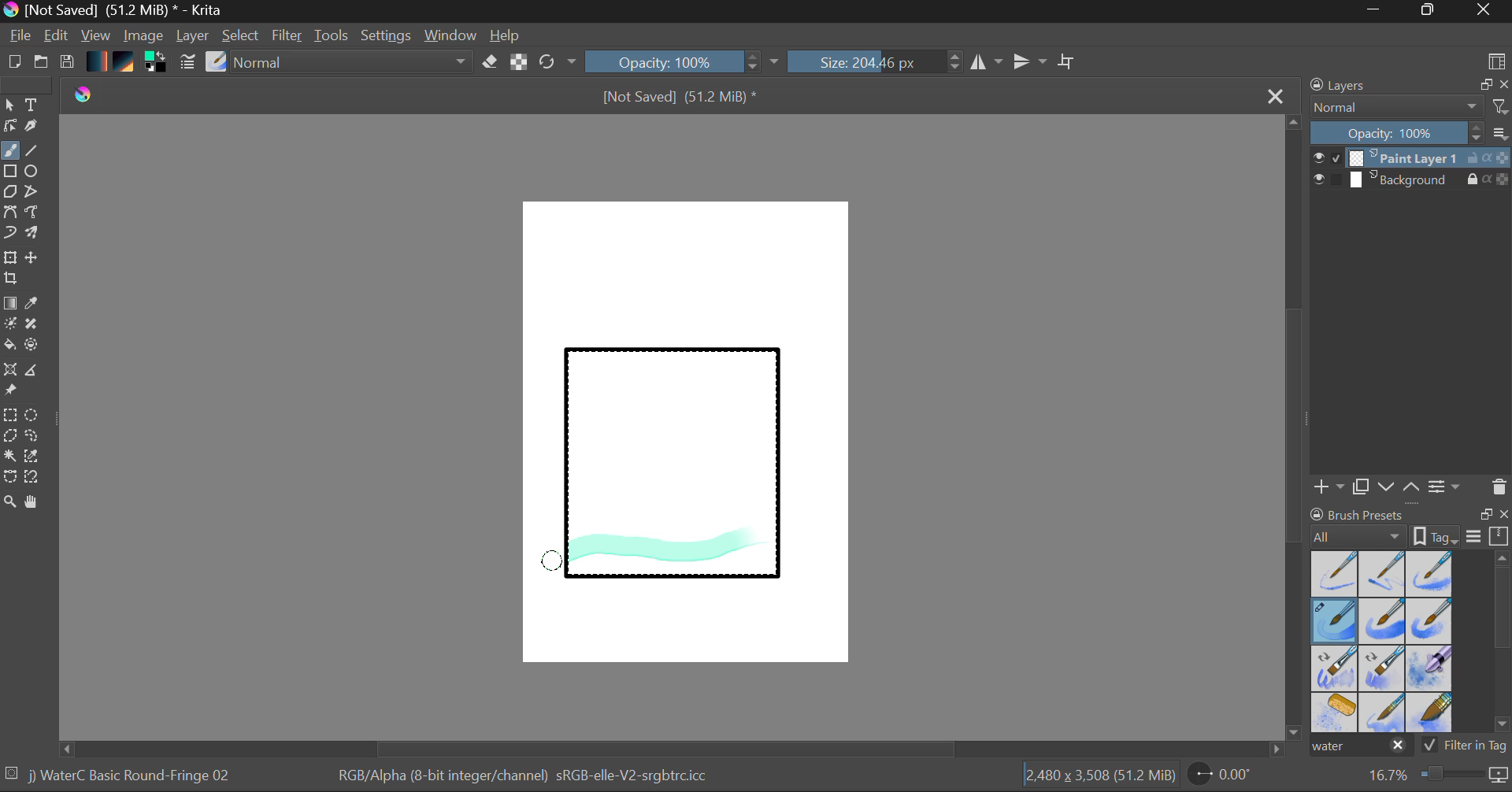 This screenshot has height=792, width=1512. Describe the element at coordinates (32, 103) in the screenshot. I see `Text` at that location.